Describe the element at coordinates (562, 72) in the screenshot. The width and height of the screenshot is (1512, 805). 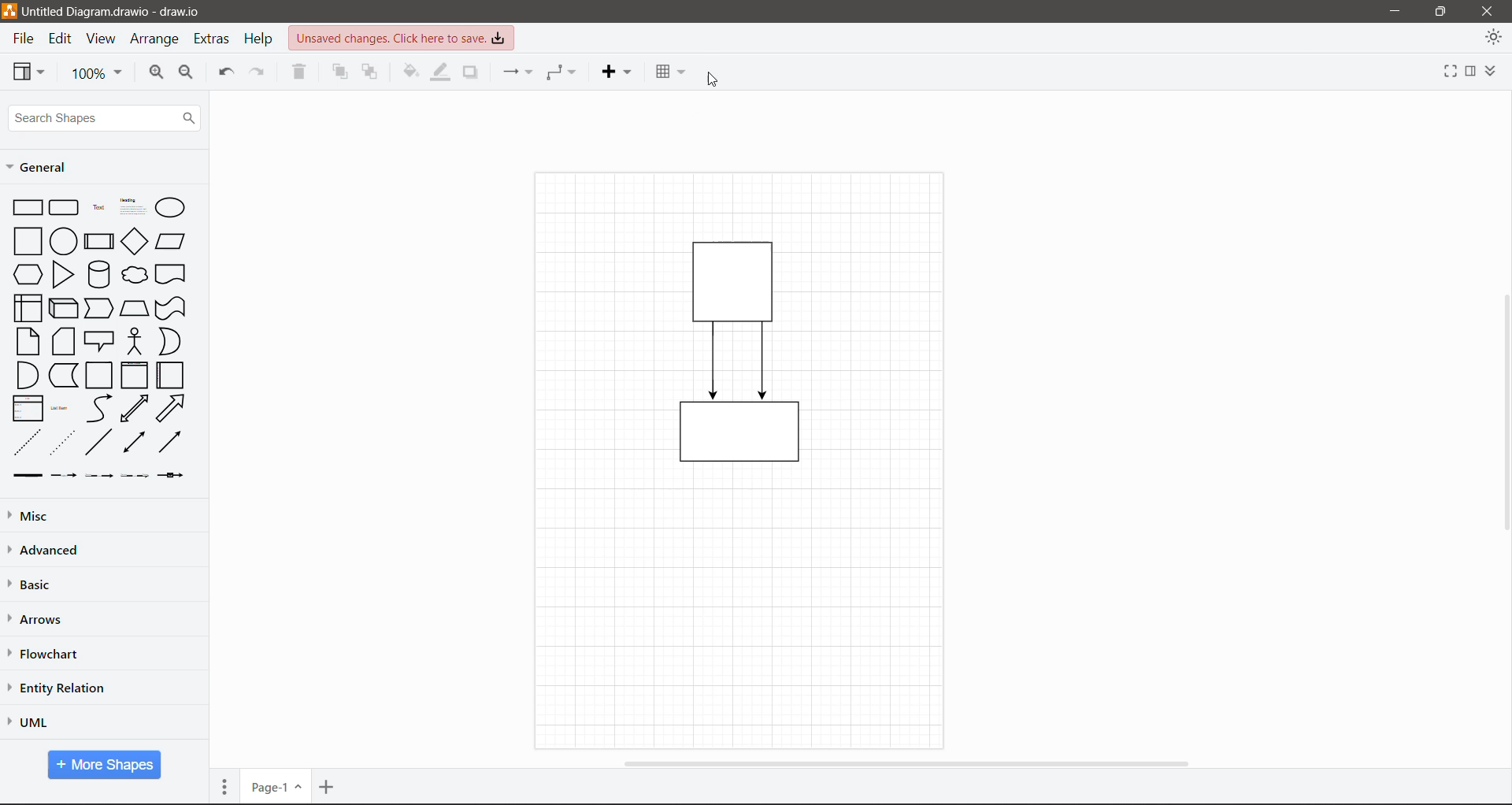
I see `Waypoints` at that location.